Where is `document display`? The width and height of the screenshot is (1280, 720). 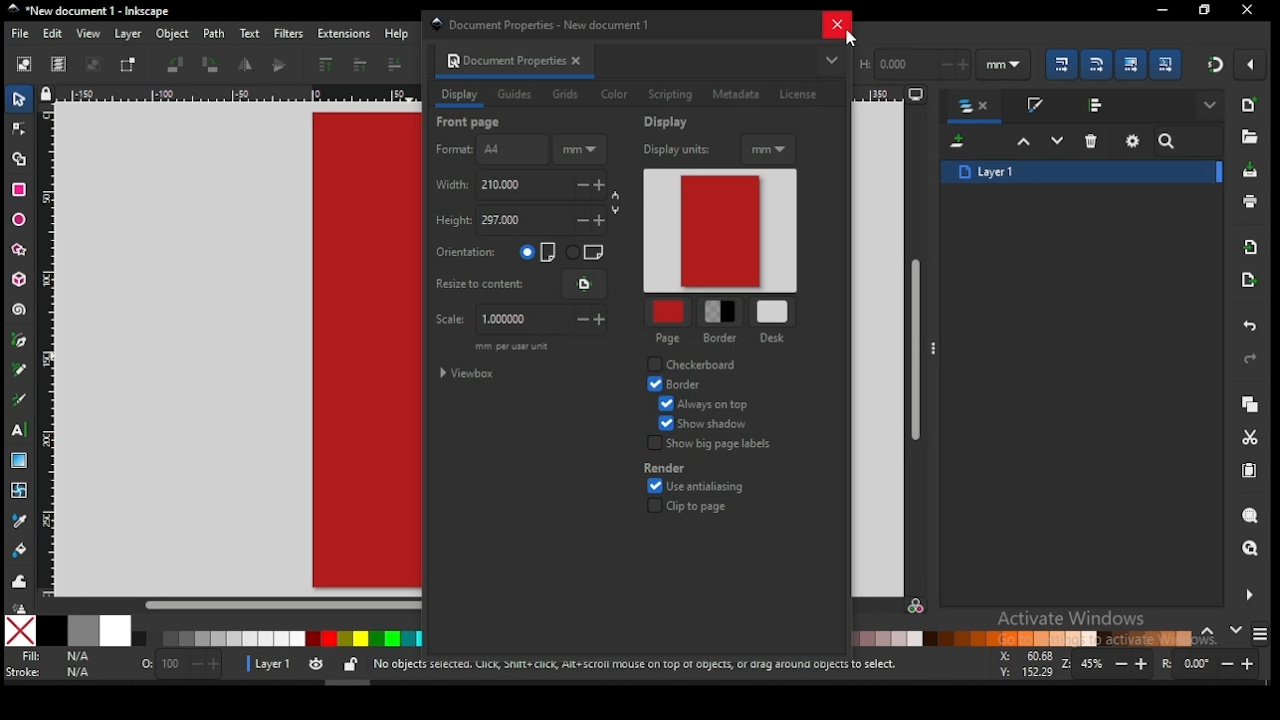 document display is located at coordinates (721, 232).